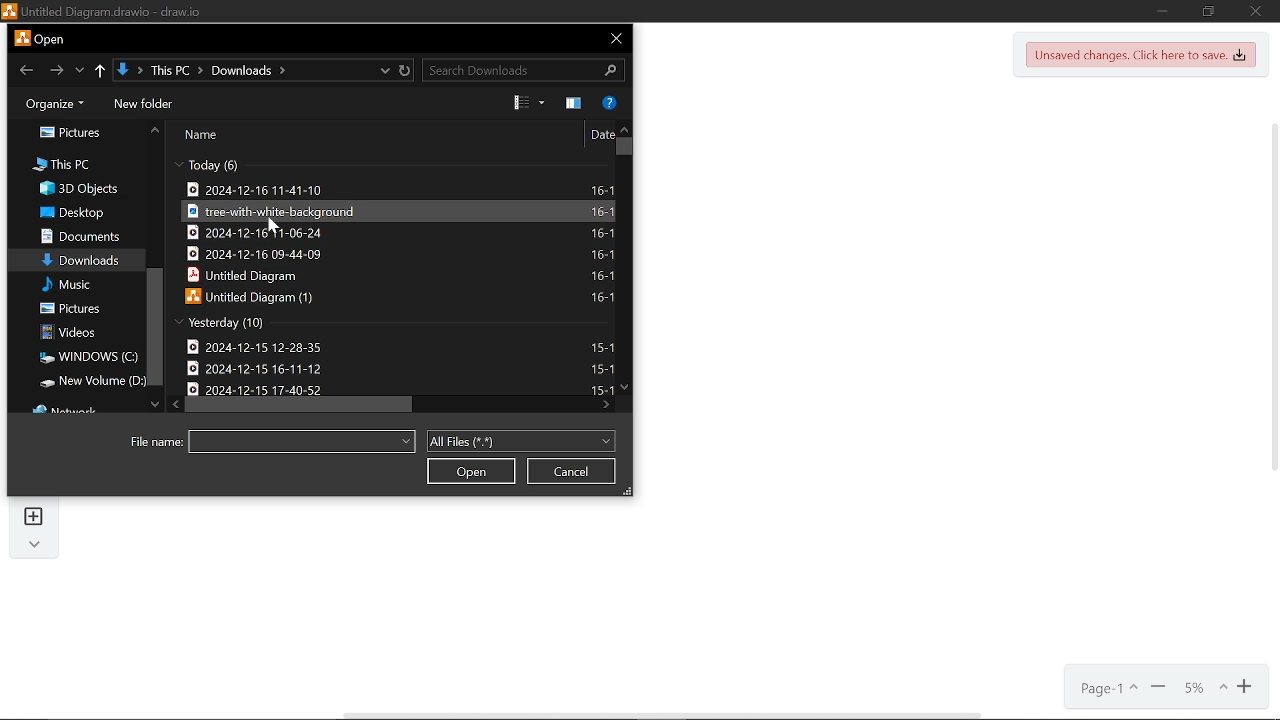  What do you see at coordinates (38, 38) in the screenshot?
I see `Current window` at bounding box center [38, 38].